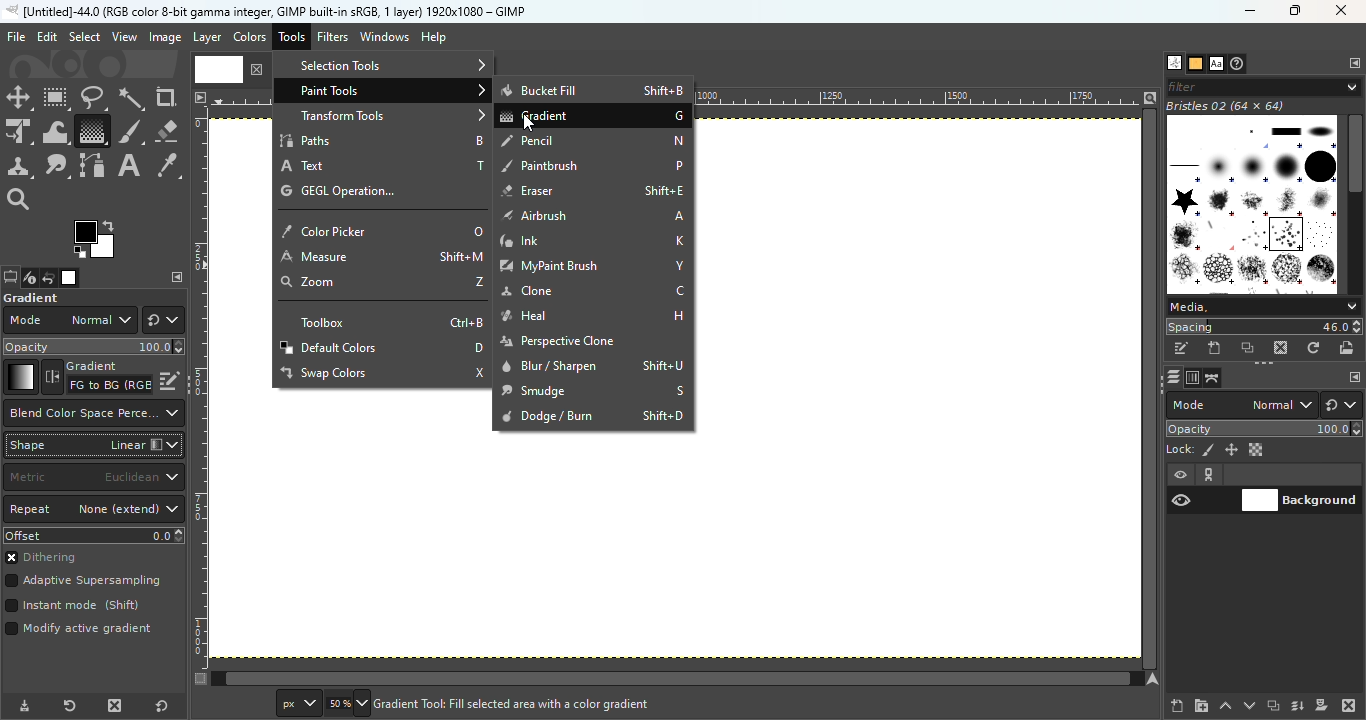 This screenshot has width=1366, height=720. I want to click on Dodge/Burn, so click(593, 414).